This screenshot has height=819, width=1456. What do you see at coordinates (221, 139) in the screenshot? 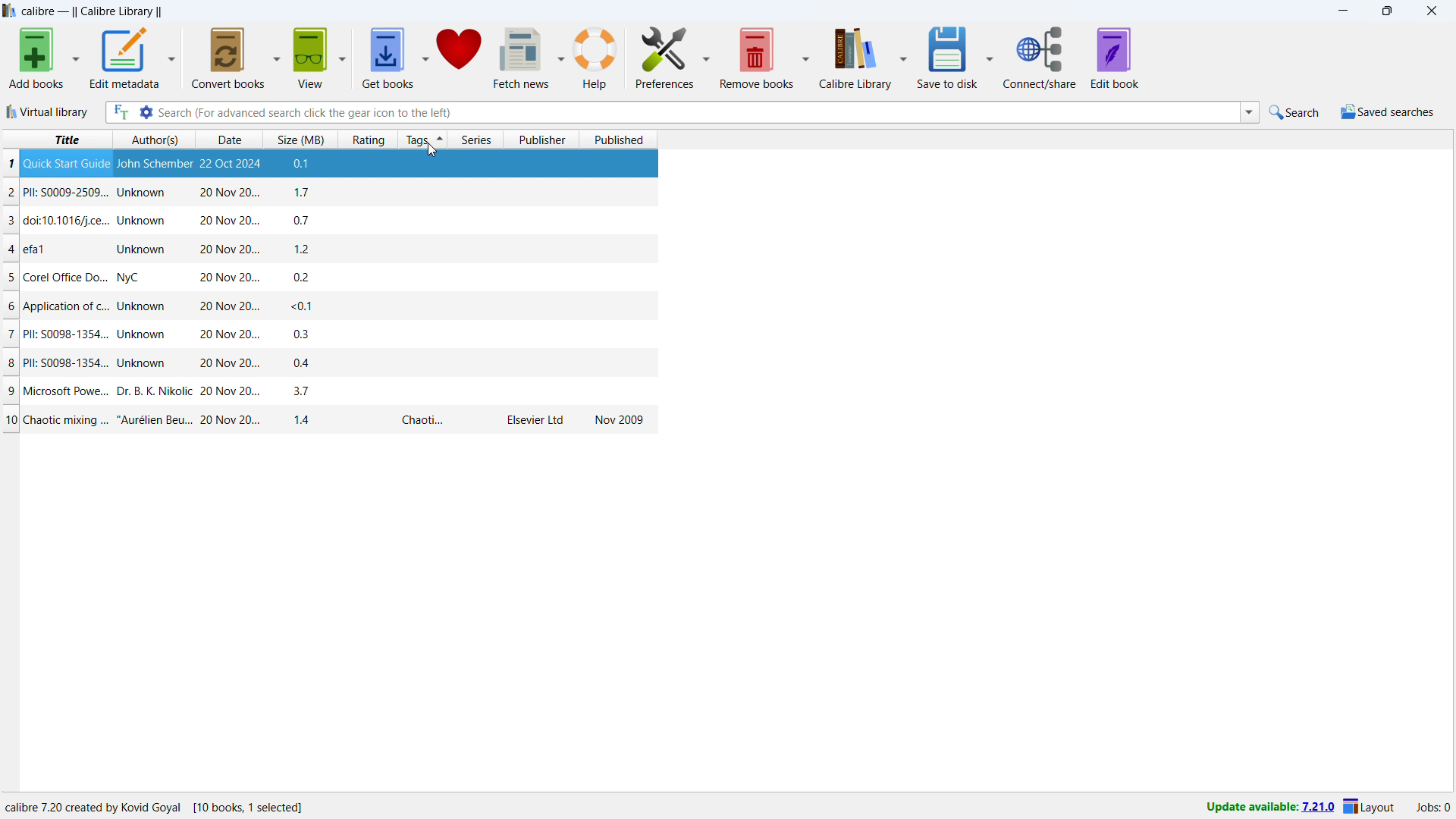
I see `sort by date` at bounding box center [221, 139].